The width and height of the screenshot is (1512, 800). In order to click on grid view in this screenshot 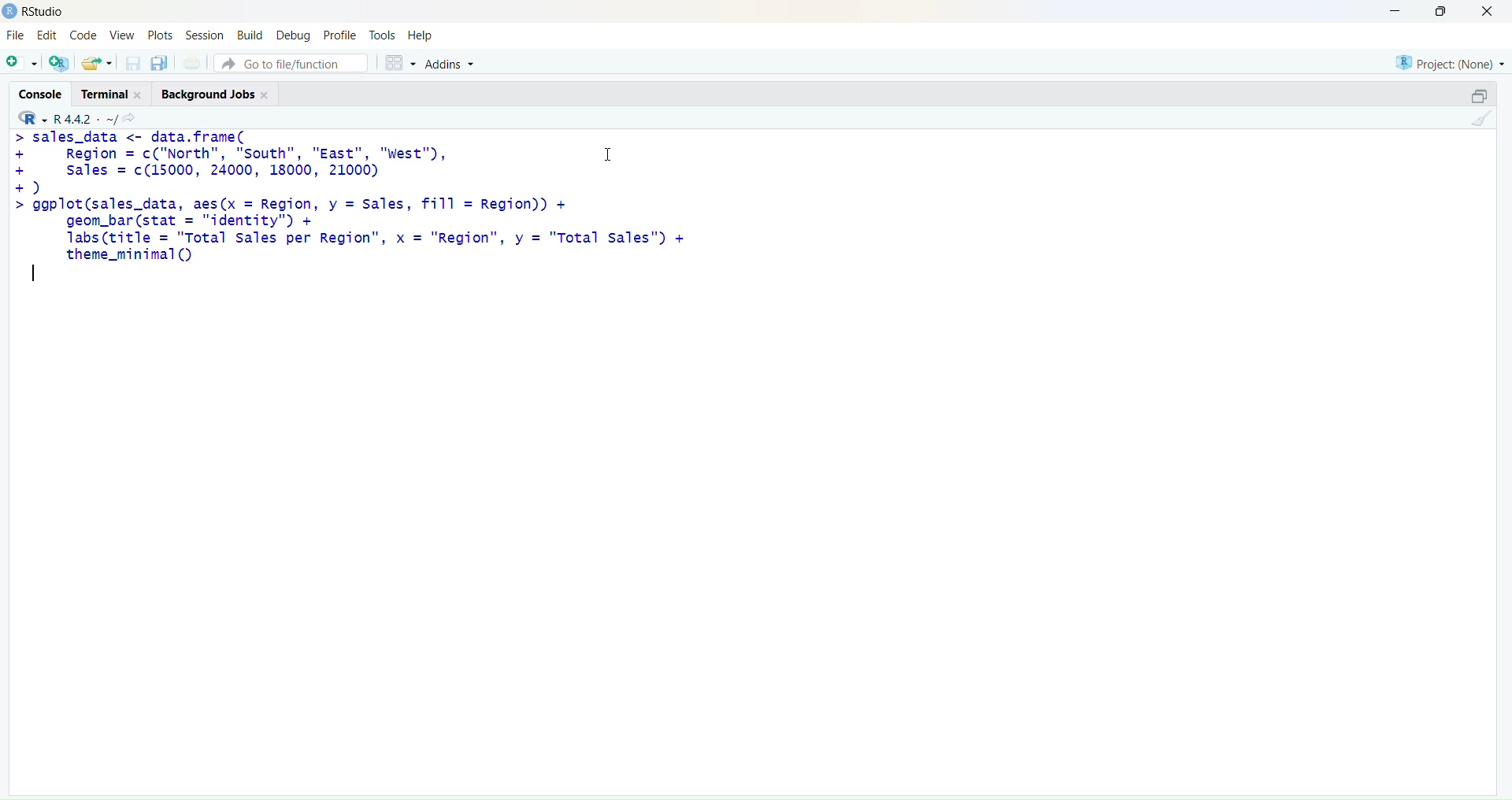, I will do `click(395, 60)`.